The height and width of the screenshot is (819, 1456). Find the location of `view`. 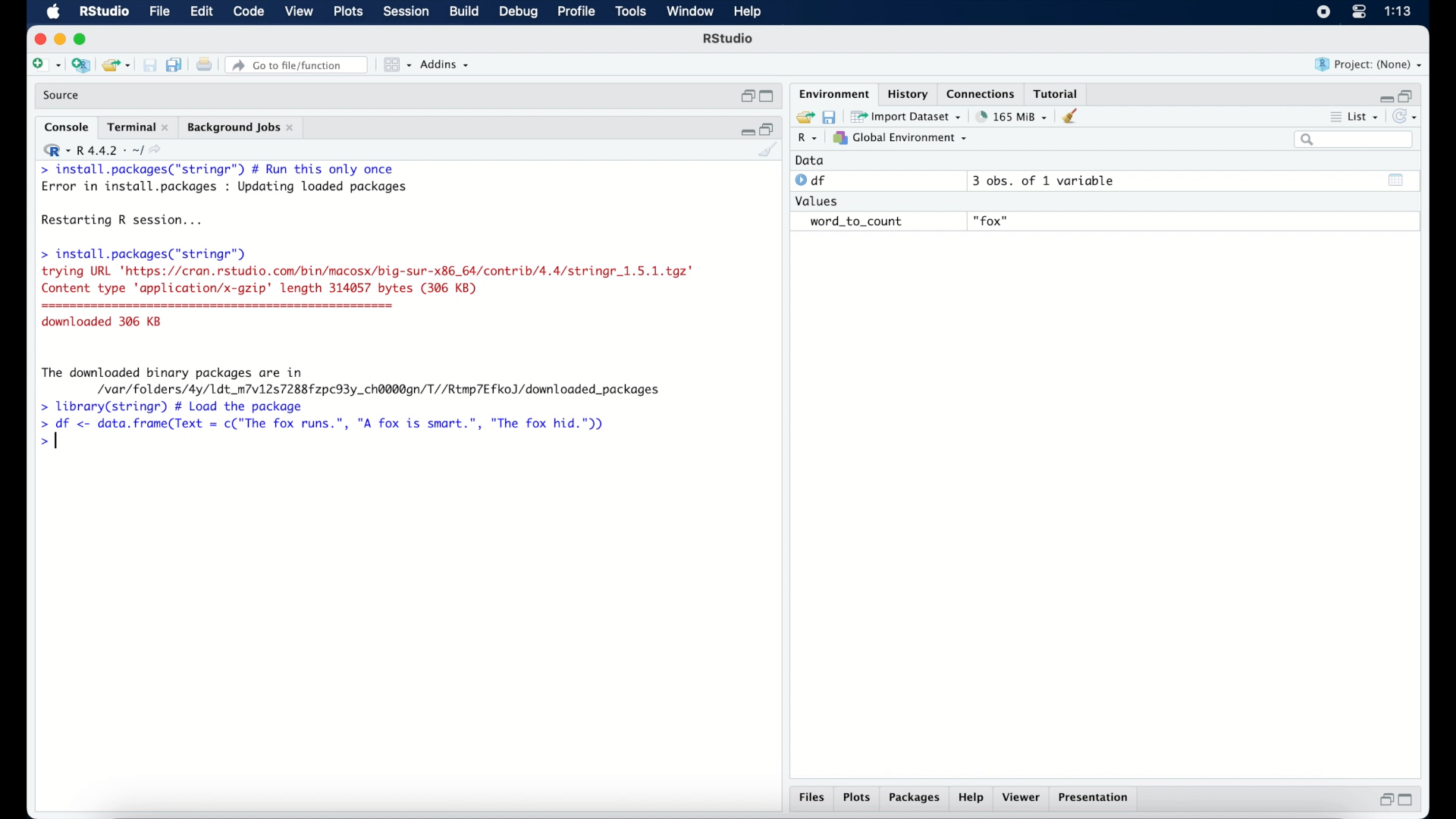

view is located at coordinates (299, 12).